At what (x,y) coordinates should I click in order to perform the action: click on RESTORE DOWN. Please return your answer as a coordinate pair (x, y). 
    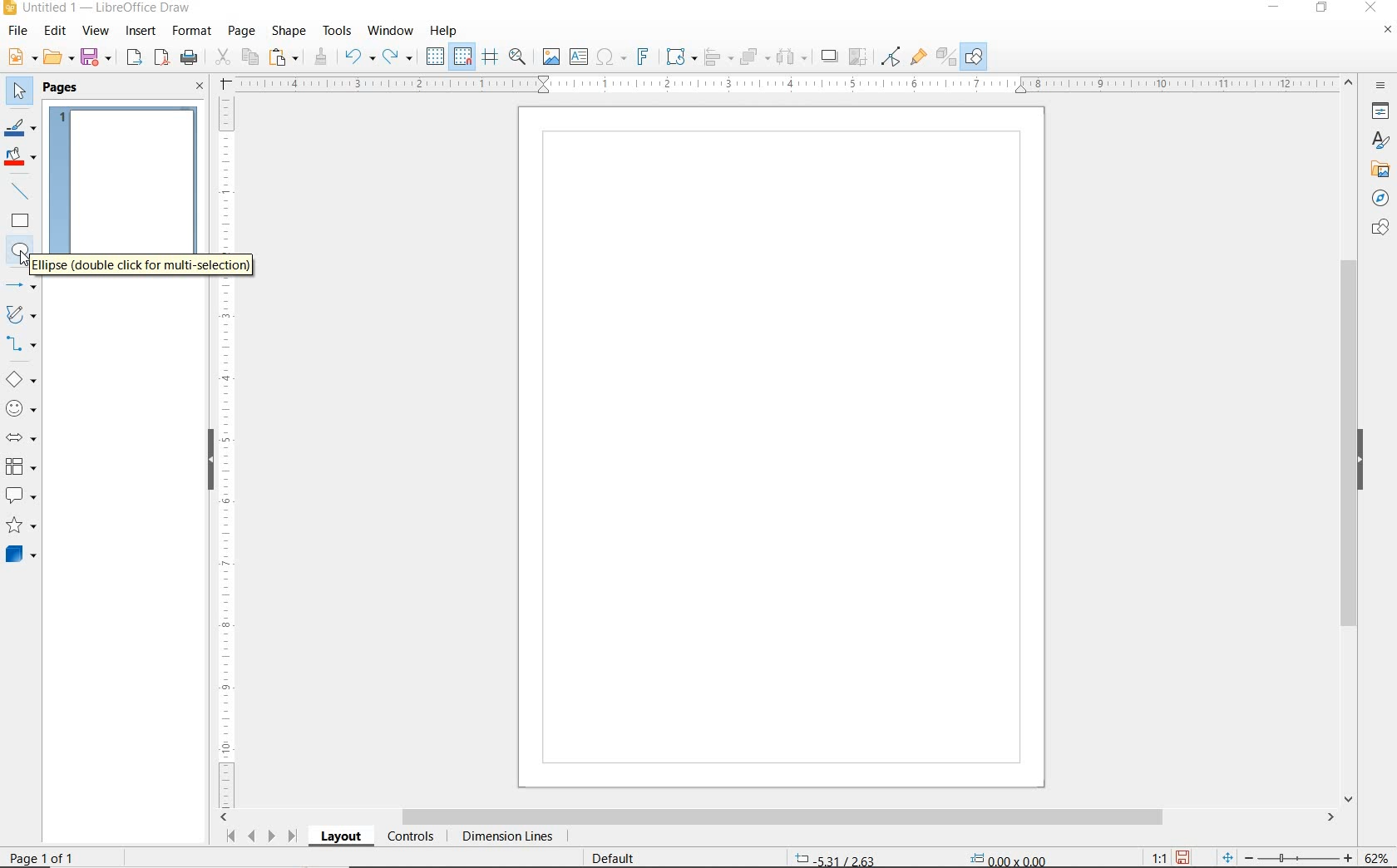
    Looking at the image, I should click on (1322, 8).